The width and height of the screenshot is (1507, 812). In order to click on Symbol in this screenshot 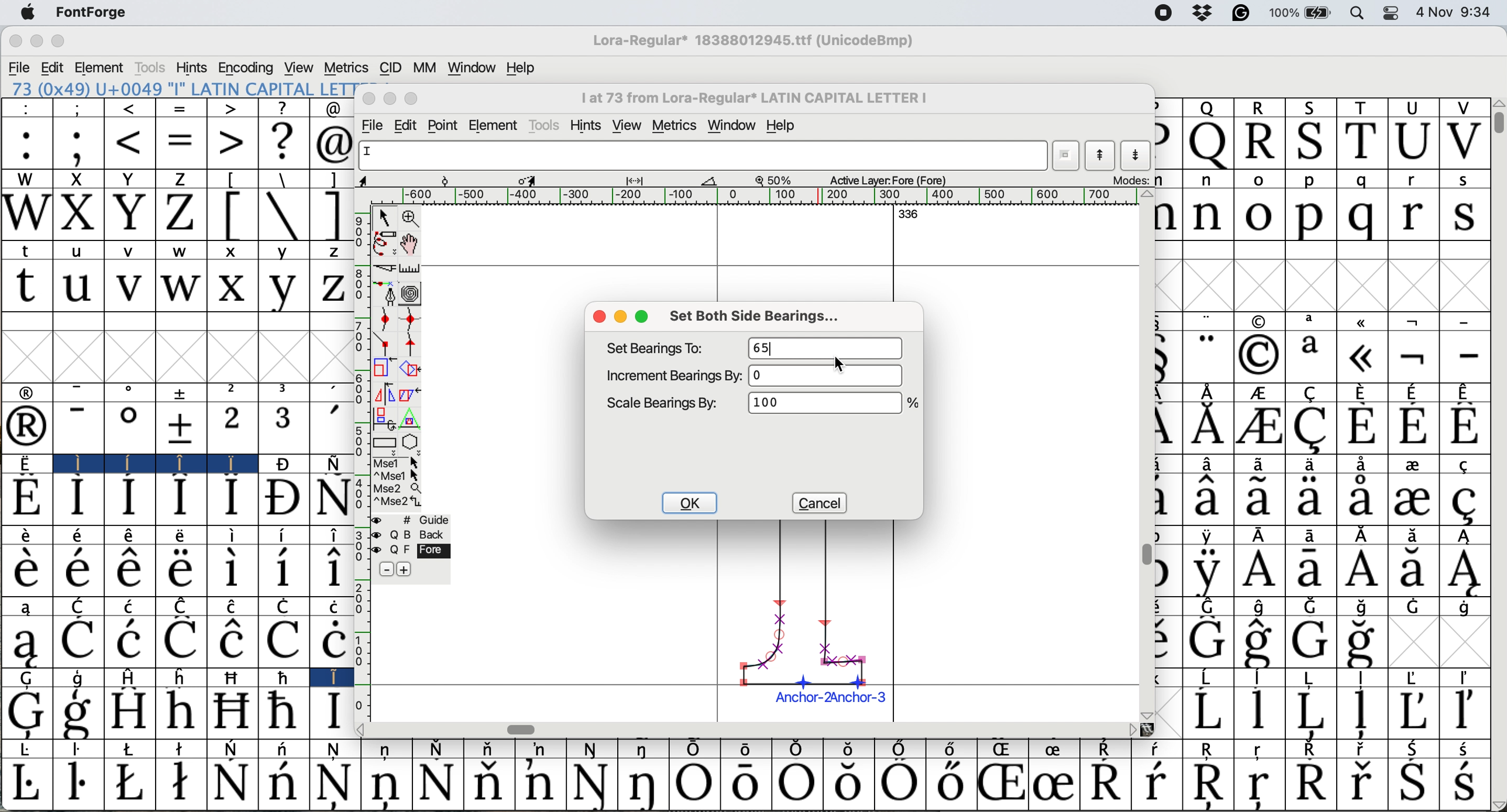, I will do `click(1467, 748)`.